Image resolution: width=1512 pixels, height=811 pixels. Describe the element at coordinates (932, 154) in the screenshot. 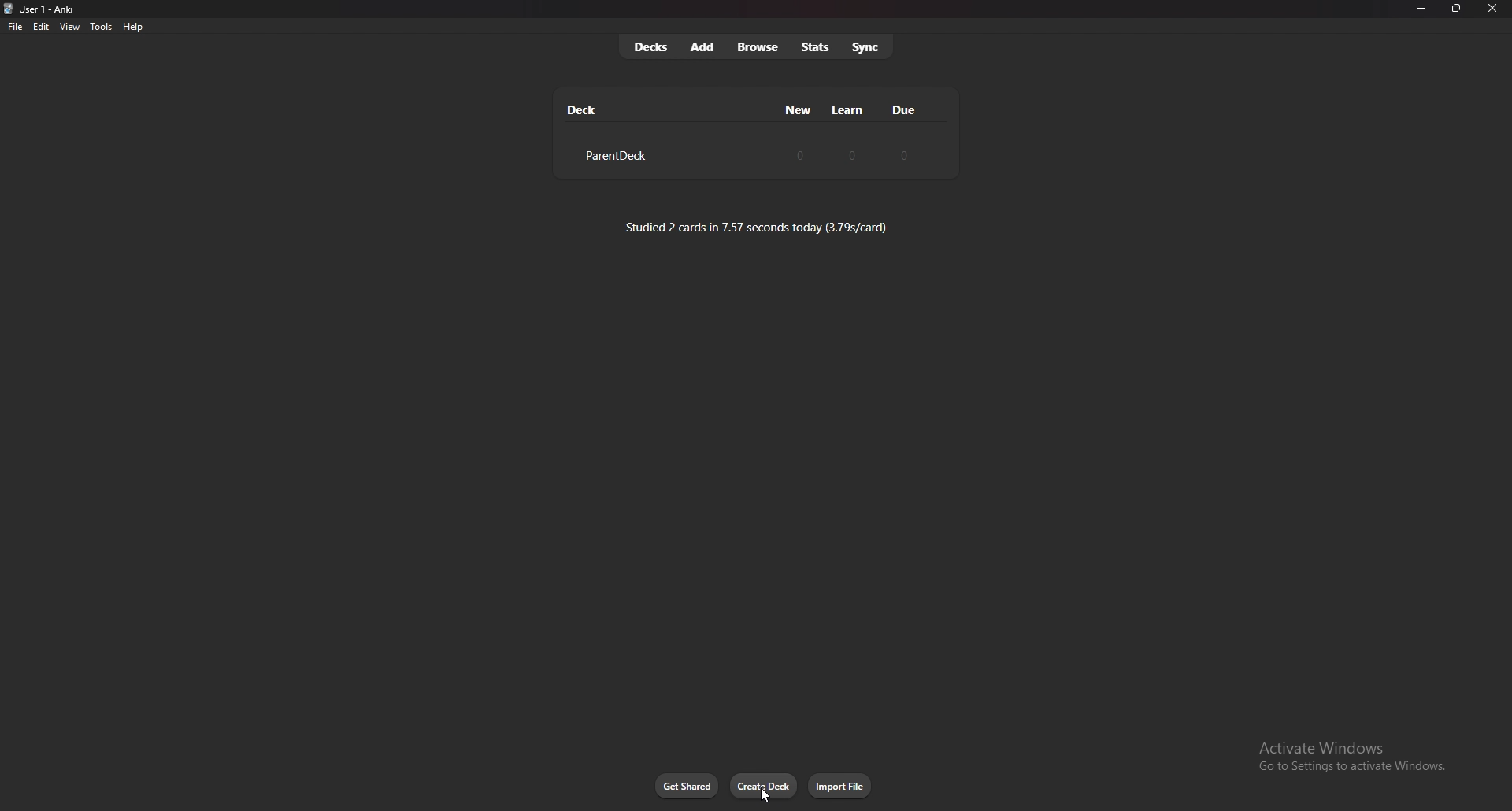

I see `deck settings` at that location.